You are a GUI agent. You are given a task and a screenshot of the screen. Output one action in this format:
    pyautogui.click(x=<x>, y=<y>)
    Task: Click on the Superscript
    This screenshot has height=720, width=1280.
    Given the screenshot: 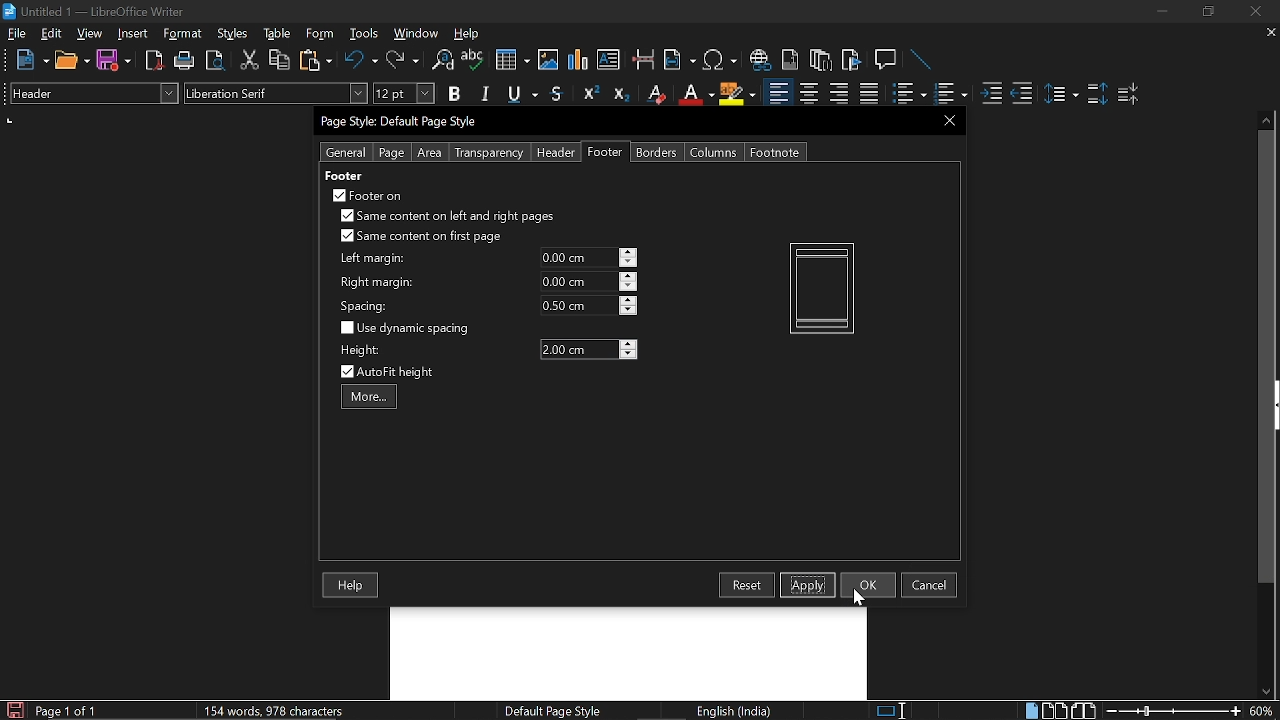 What is the action you would take?
    pyautogui.click(x=588, y=94)
    